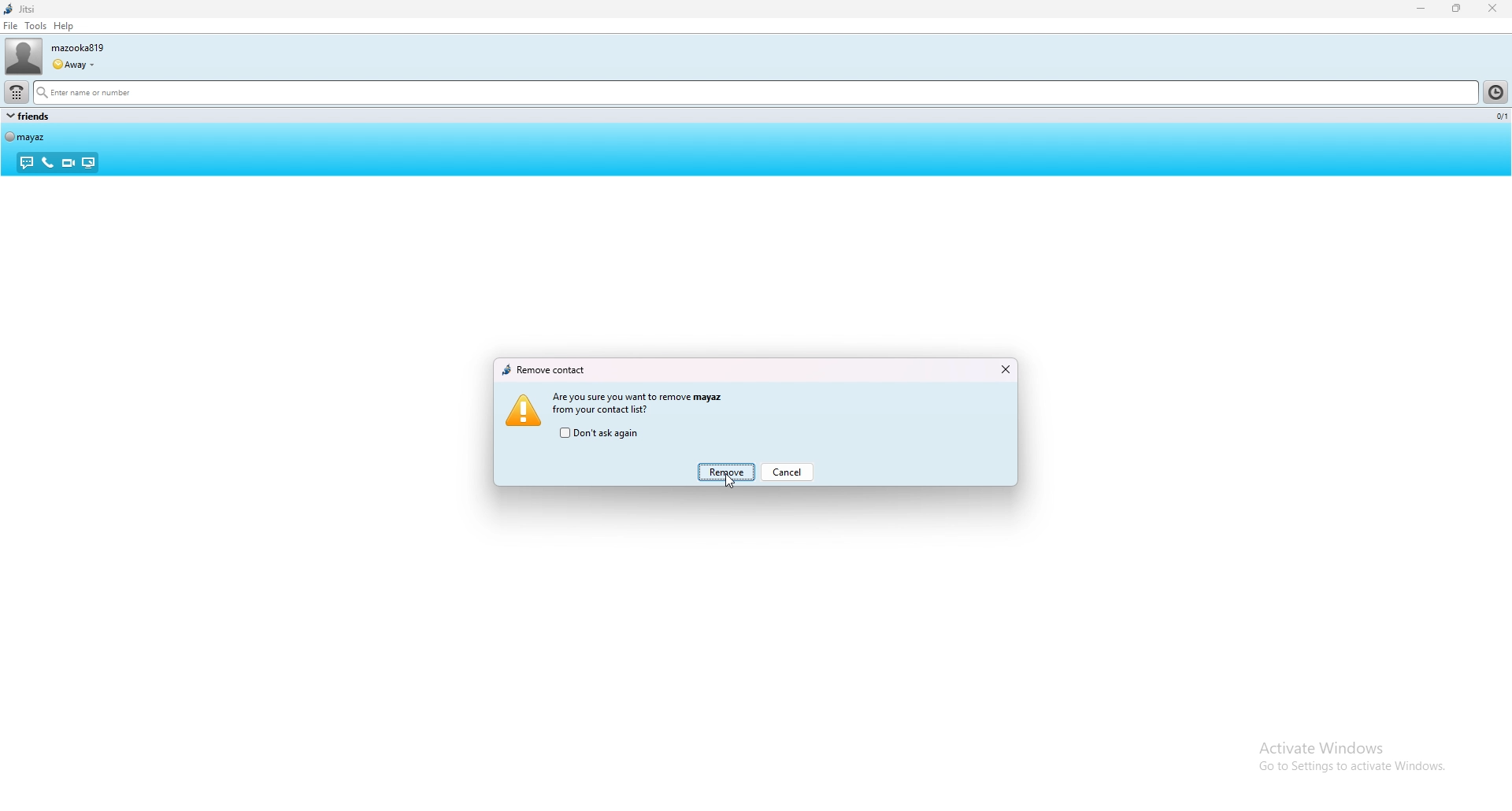 This screenshot has width=1512, height=811. I want to click on share desktop, so click(87, 163).